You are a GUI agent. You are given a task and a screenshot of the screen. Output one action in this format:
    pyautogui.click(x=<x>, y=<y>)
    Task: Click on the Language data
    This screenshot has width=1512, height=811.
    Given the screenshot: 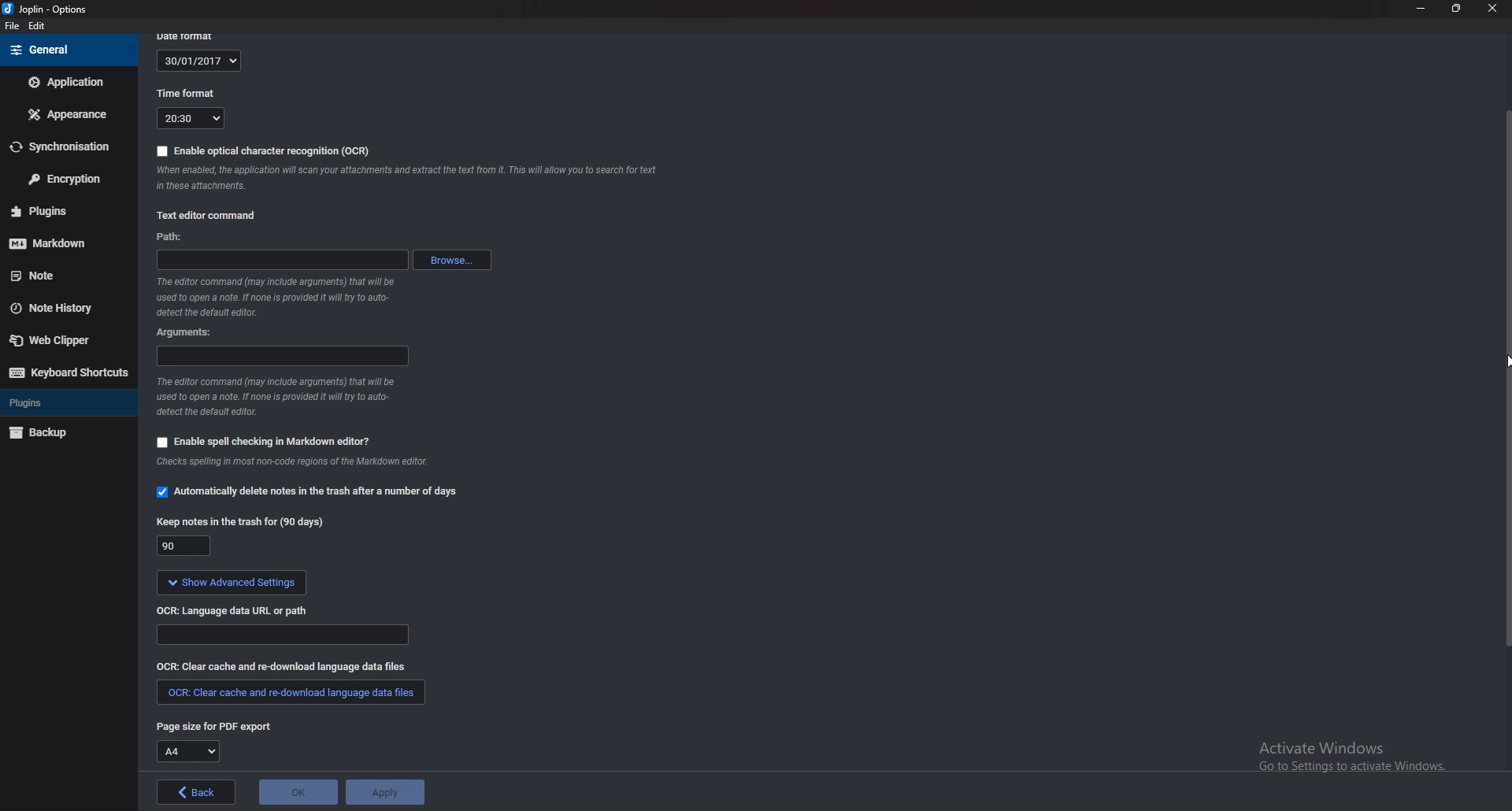 What is the action you would take?
    pyautogui.click(x=280, y=635)
    